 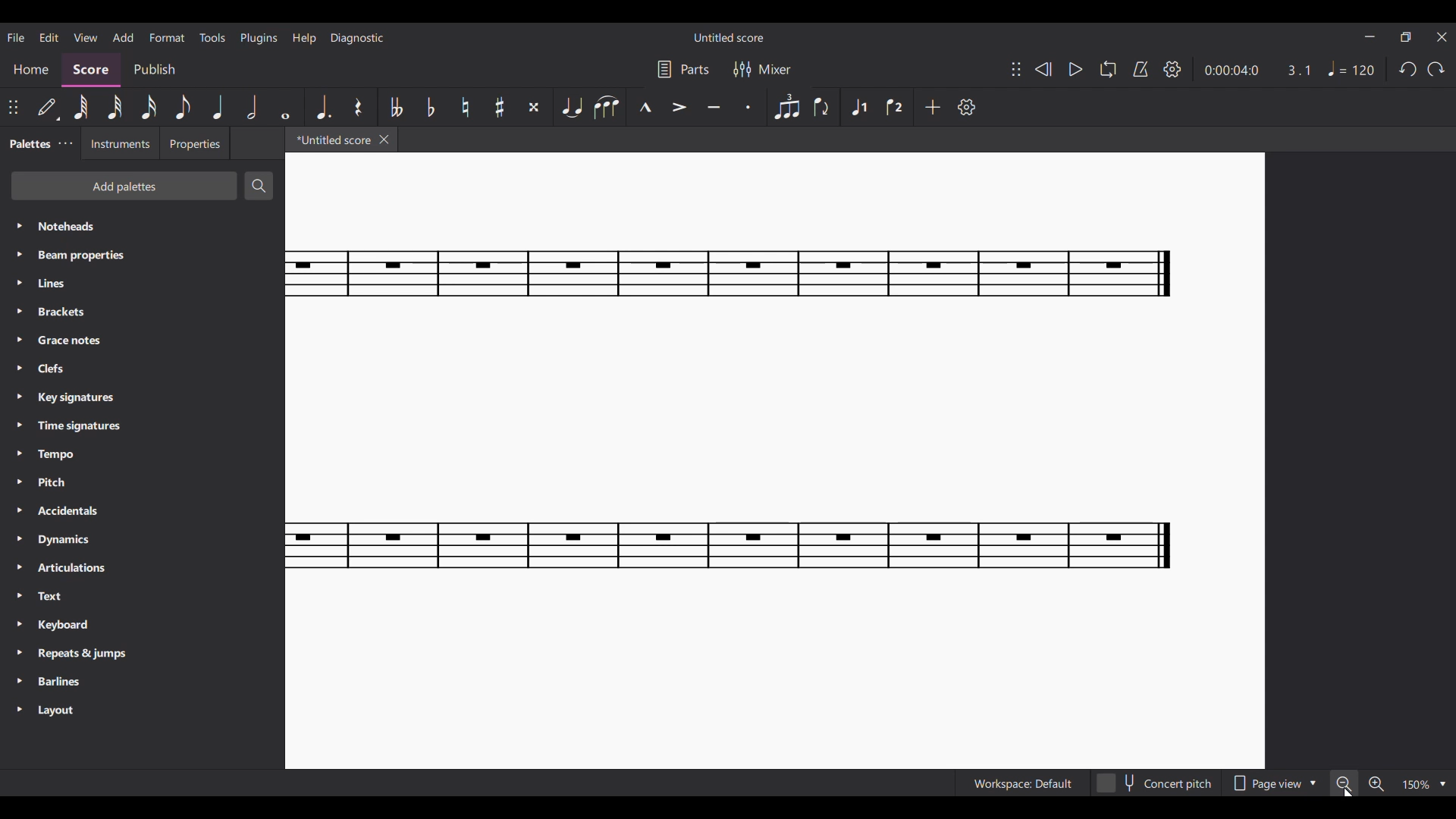 I want to click on Grace notes, so click(x=142, y=340).